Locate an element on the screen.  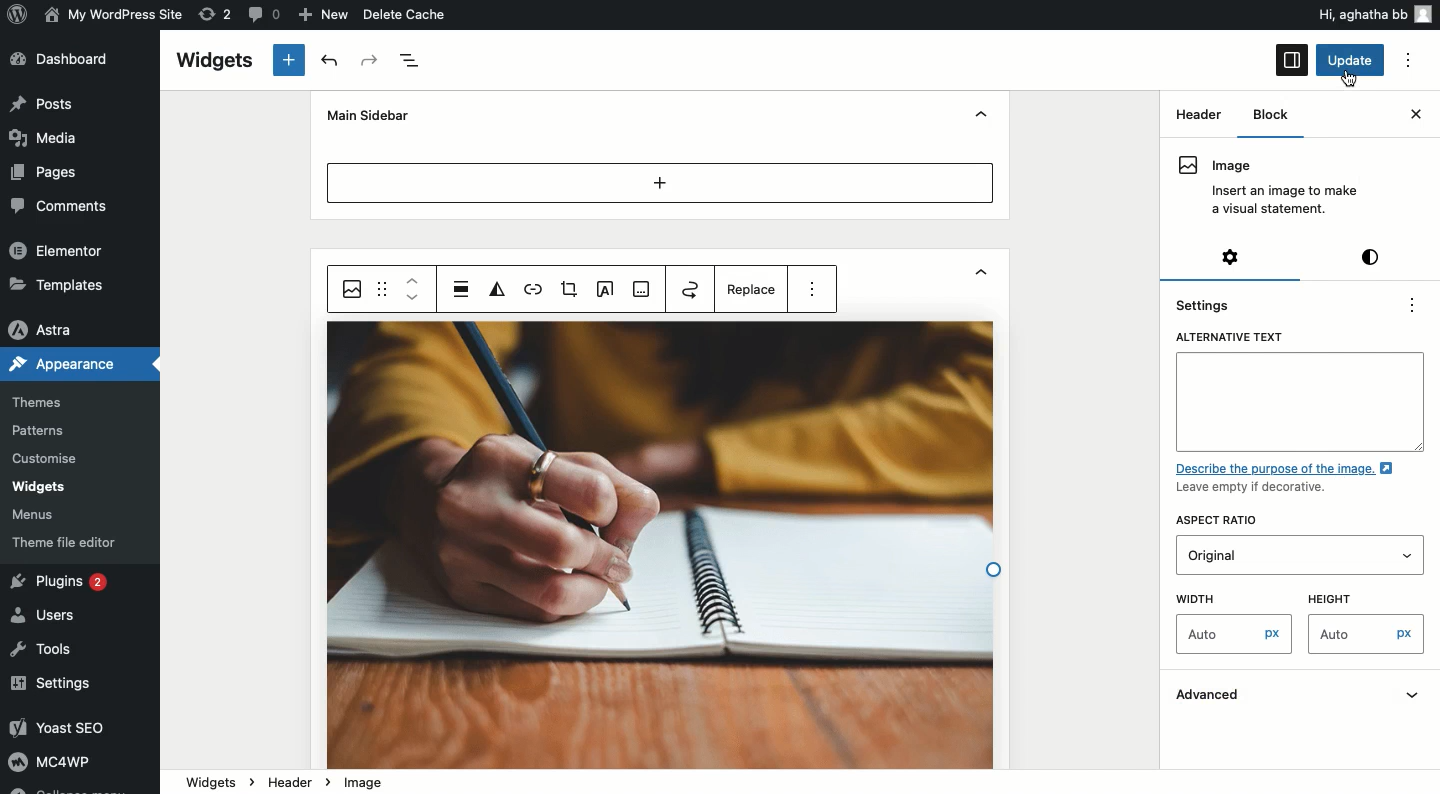
Customise is located at coordinates (42, 461).